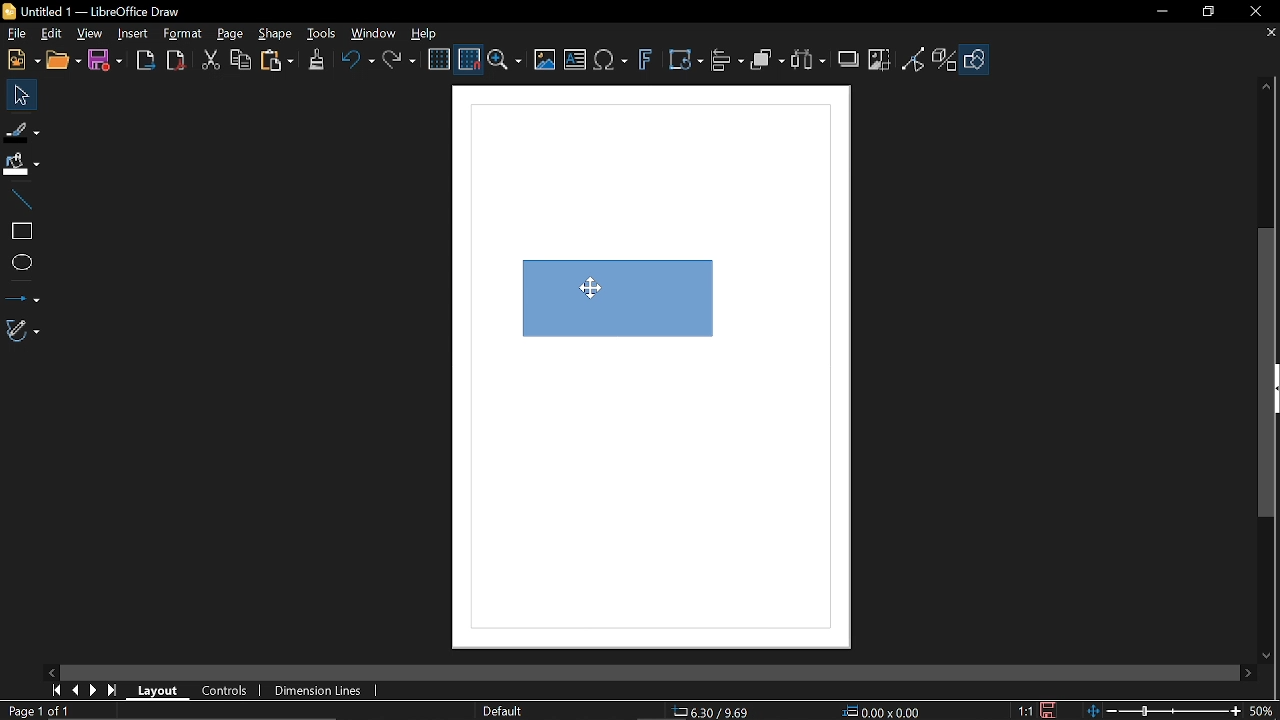  I want to click on Insert equation, so click(610, 63).